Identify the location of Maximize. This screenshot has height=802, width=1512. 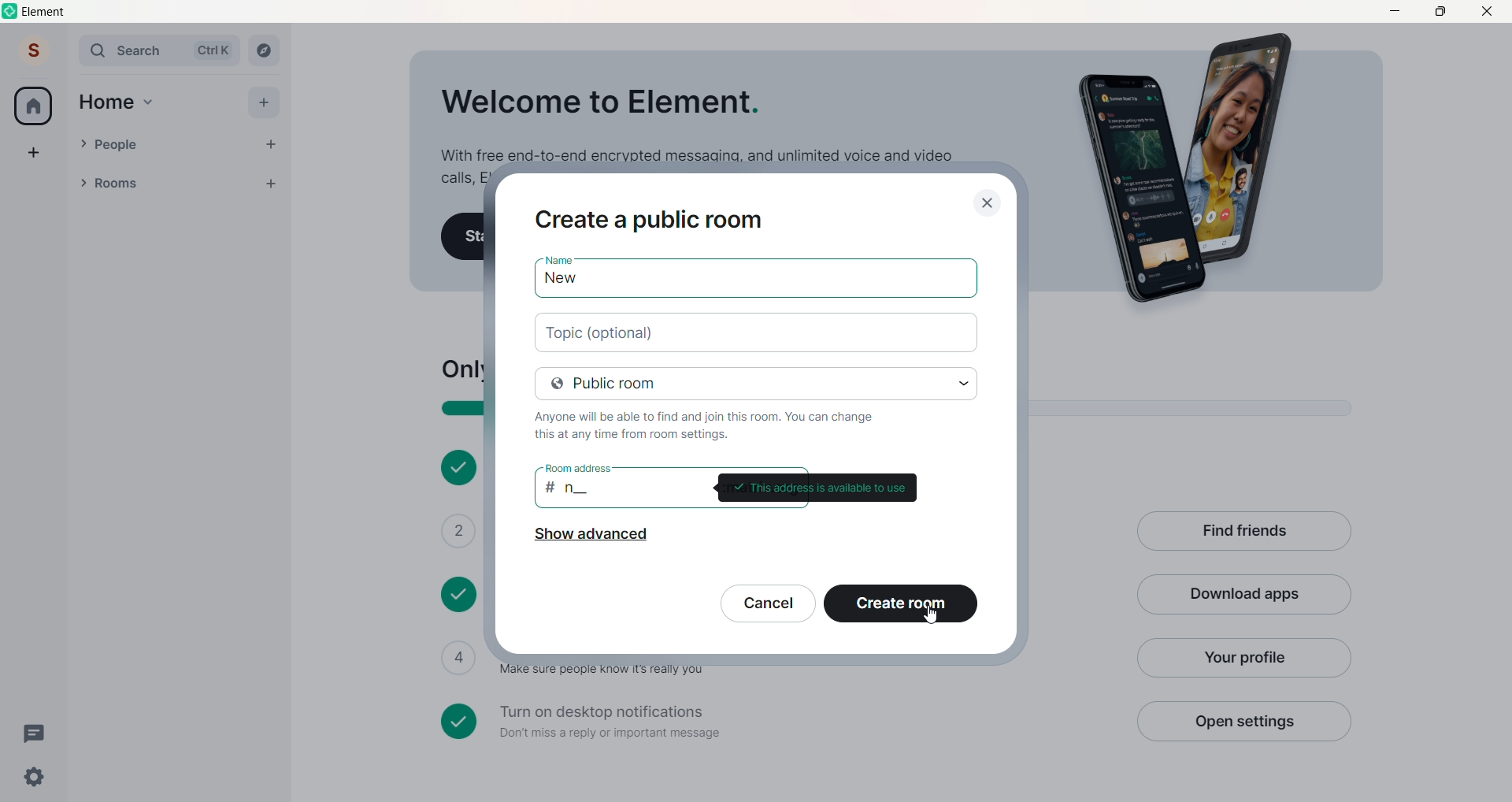
(1440, 10).